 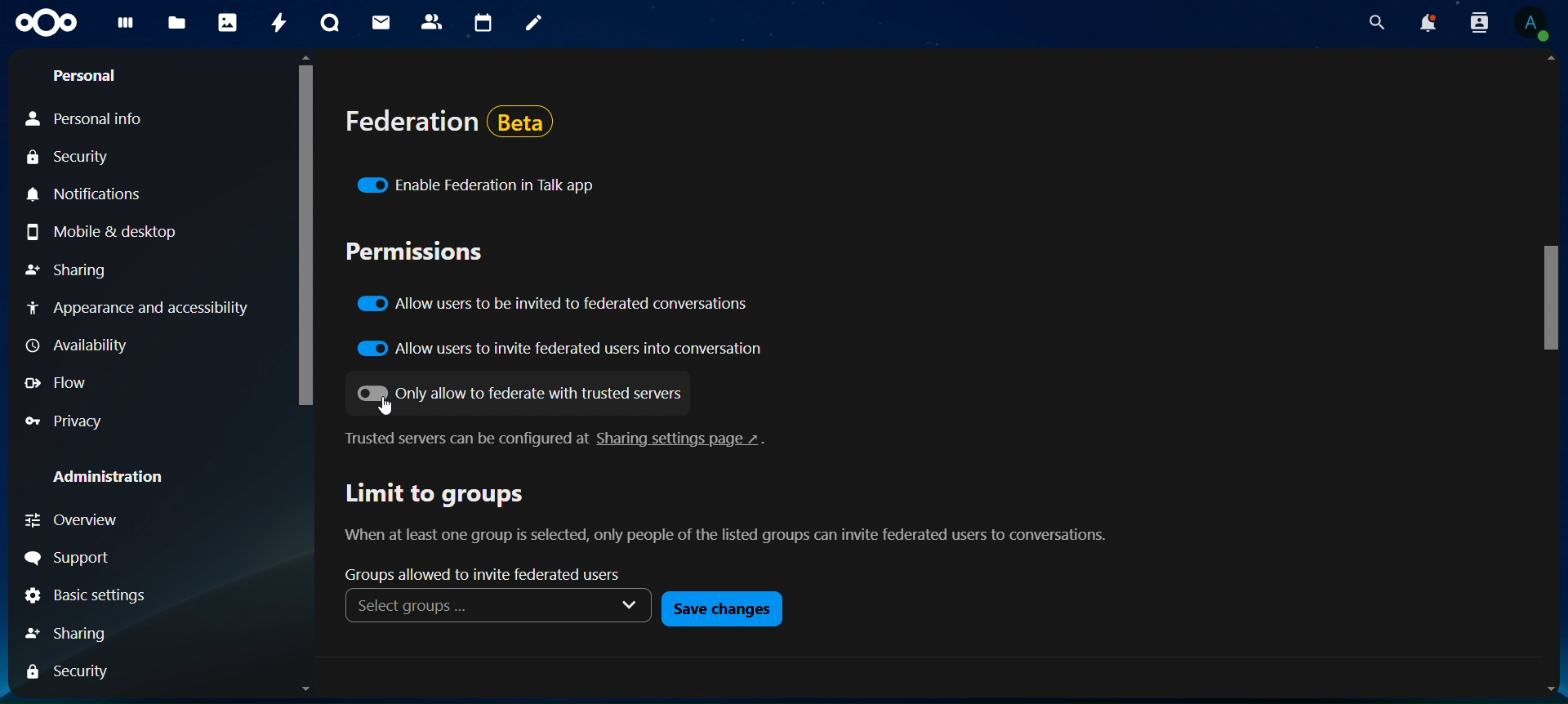 What do you see at coordinates (78, 519) in the screenshot?
I see `overview ` at bounding box center [78, 519].